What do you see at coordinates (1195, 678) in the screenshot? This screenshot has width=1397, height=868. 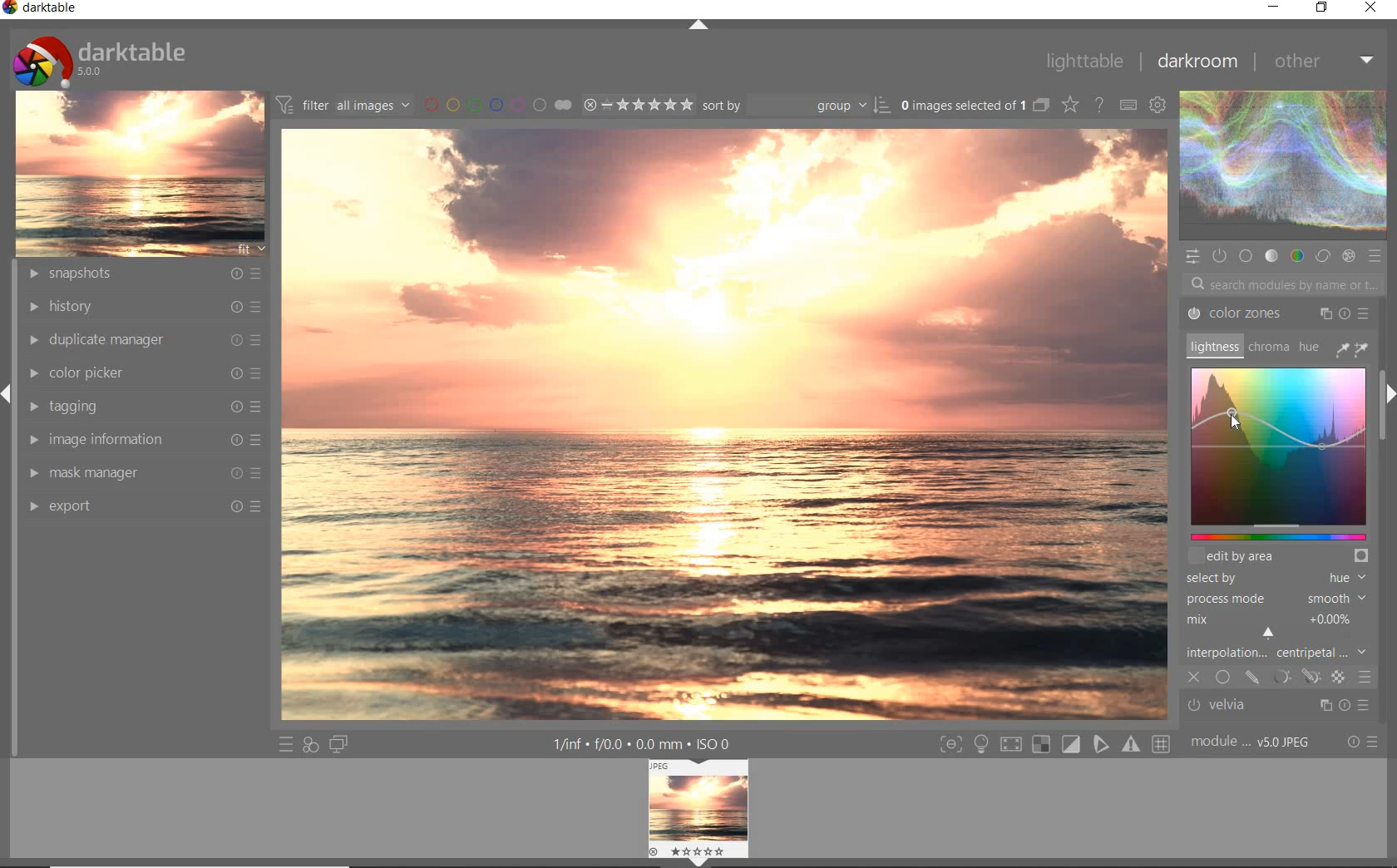 I see `CLOSE` at bounding box center [1195, 678].